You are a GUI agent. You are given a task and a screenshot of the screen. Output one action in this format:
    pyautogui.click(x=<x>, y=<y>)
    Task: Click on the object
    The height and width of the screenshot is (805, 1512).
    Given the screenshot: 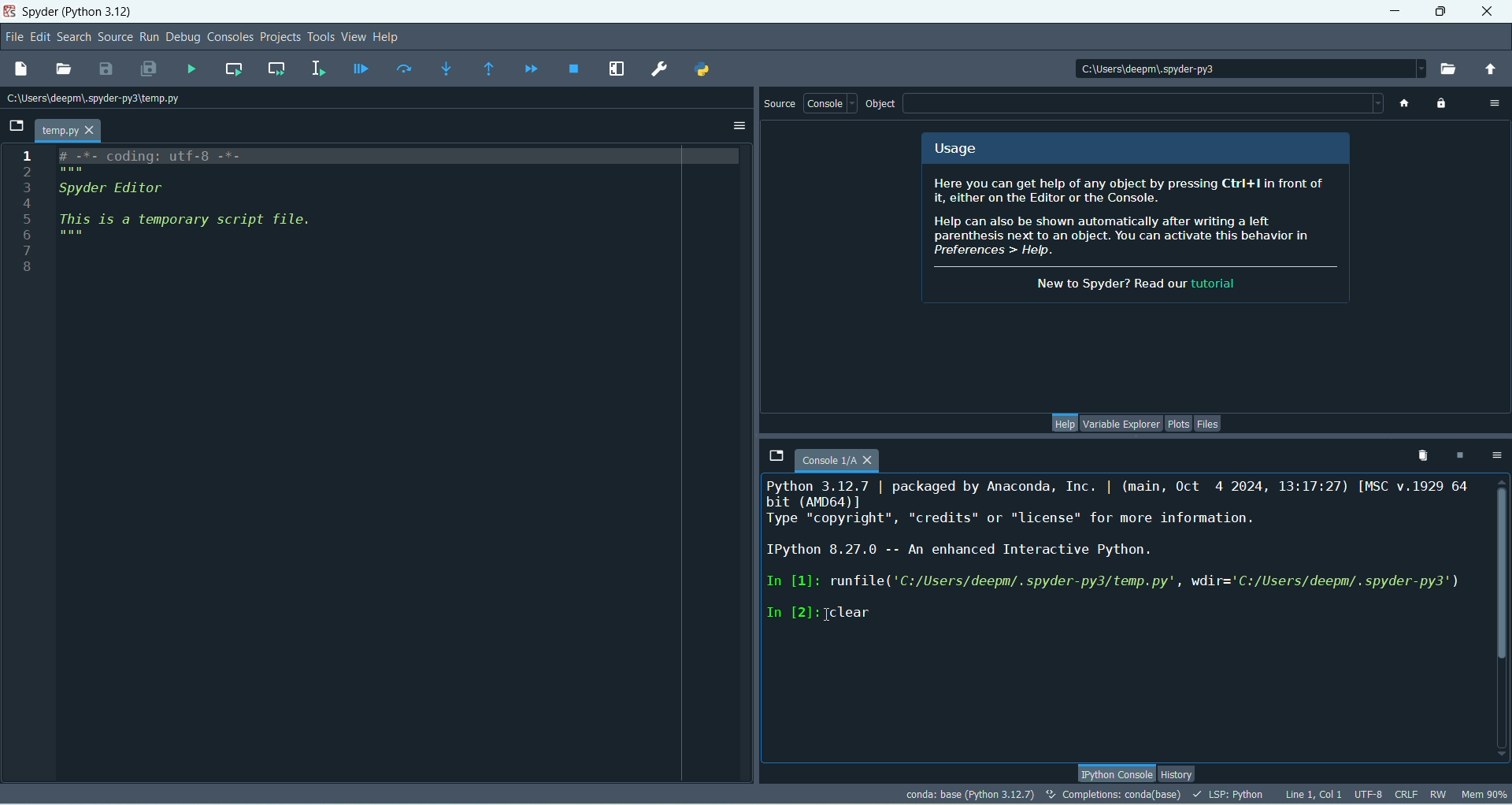 What is the action you would take?
    pyautogui.click(x=883, y=105)
    